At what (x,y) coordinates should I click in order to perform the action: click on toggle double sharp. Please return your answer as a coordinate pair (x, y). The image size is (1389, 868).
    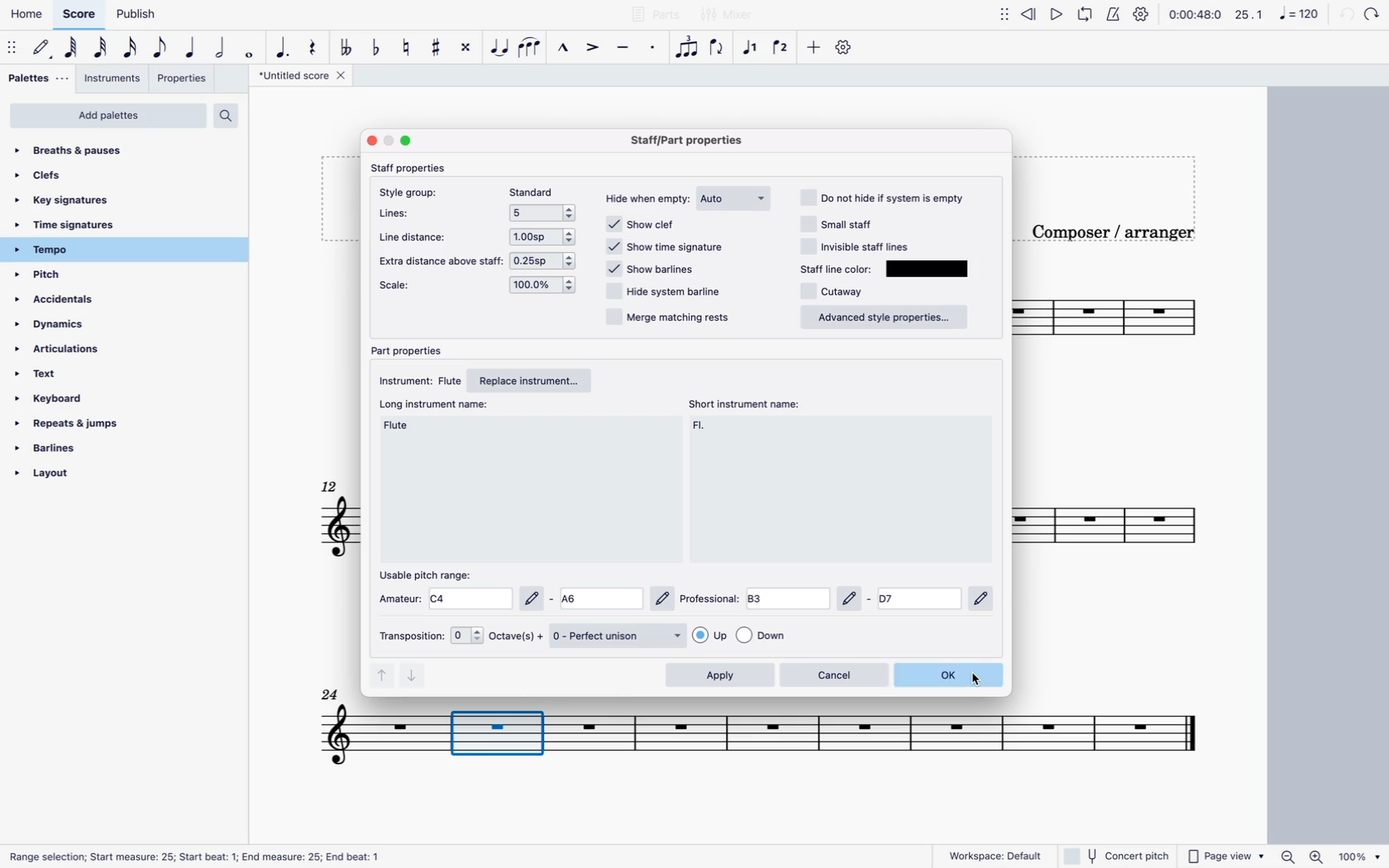
    Looking at the image, I should click on (464, 46).